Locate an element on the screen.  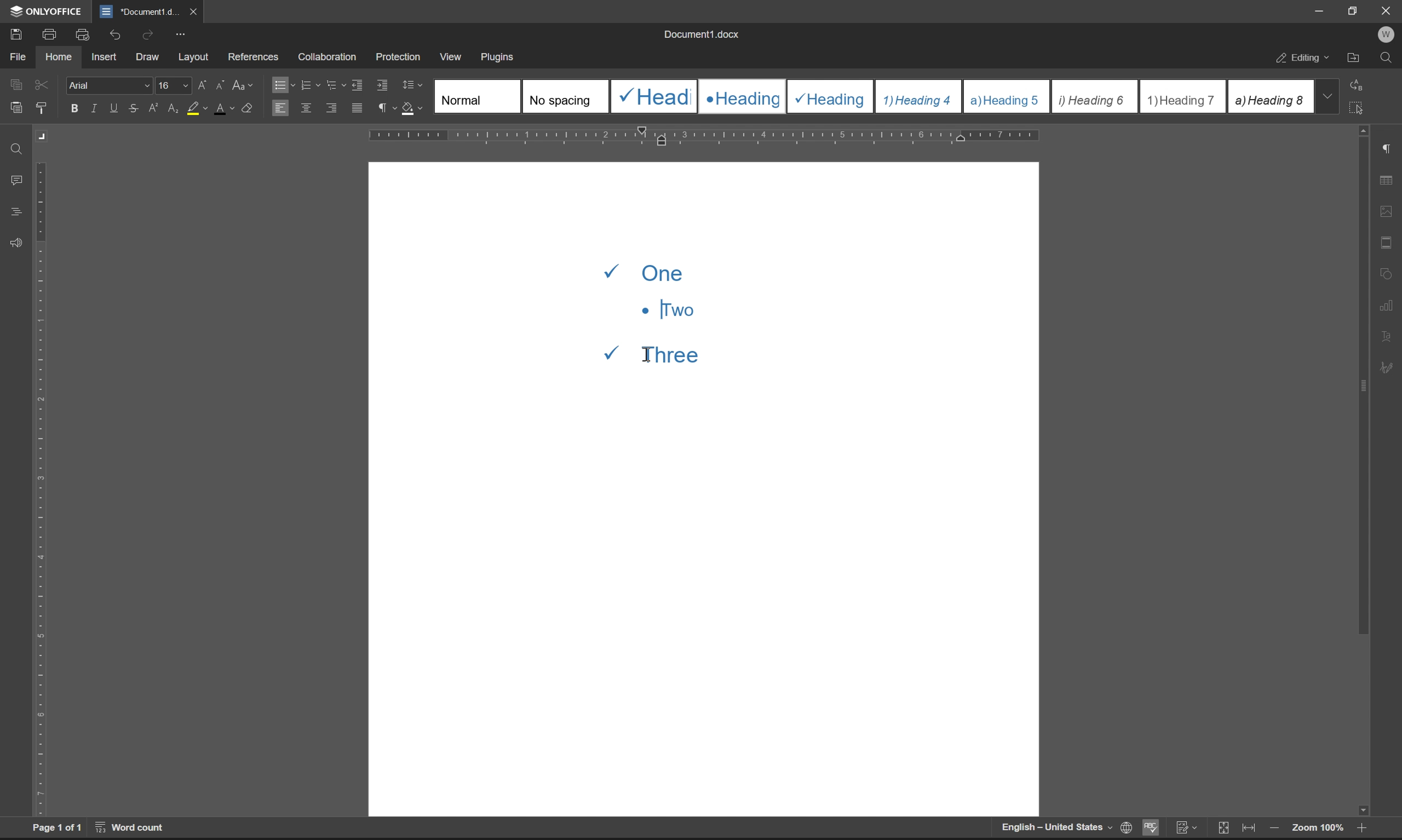
open file location is located at coordinates (1354, 59).